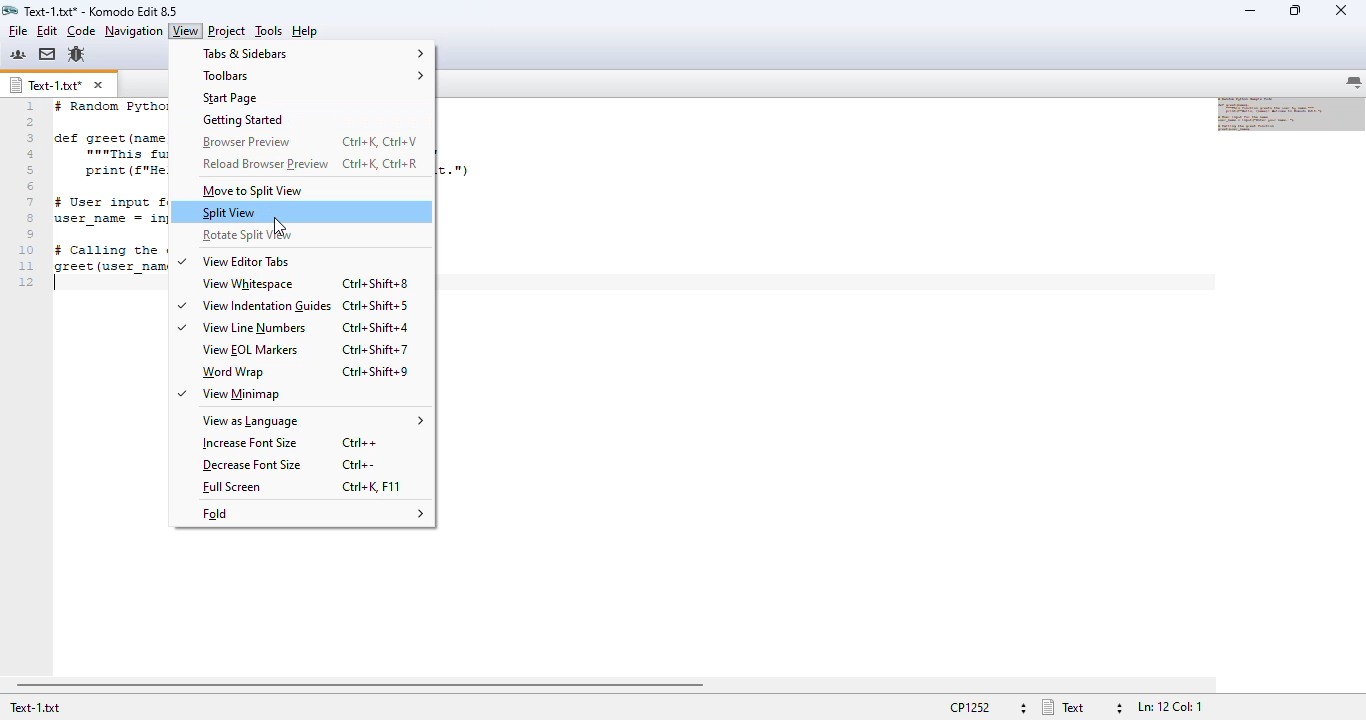 The height and width of the screenshot is (720, 1366). Describe the element at coordinates (48, 30) in the screenshot. I see `edit` at that location.